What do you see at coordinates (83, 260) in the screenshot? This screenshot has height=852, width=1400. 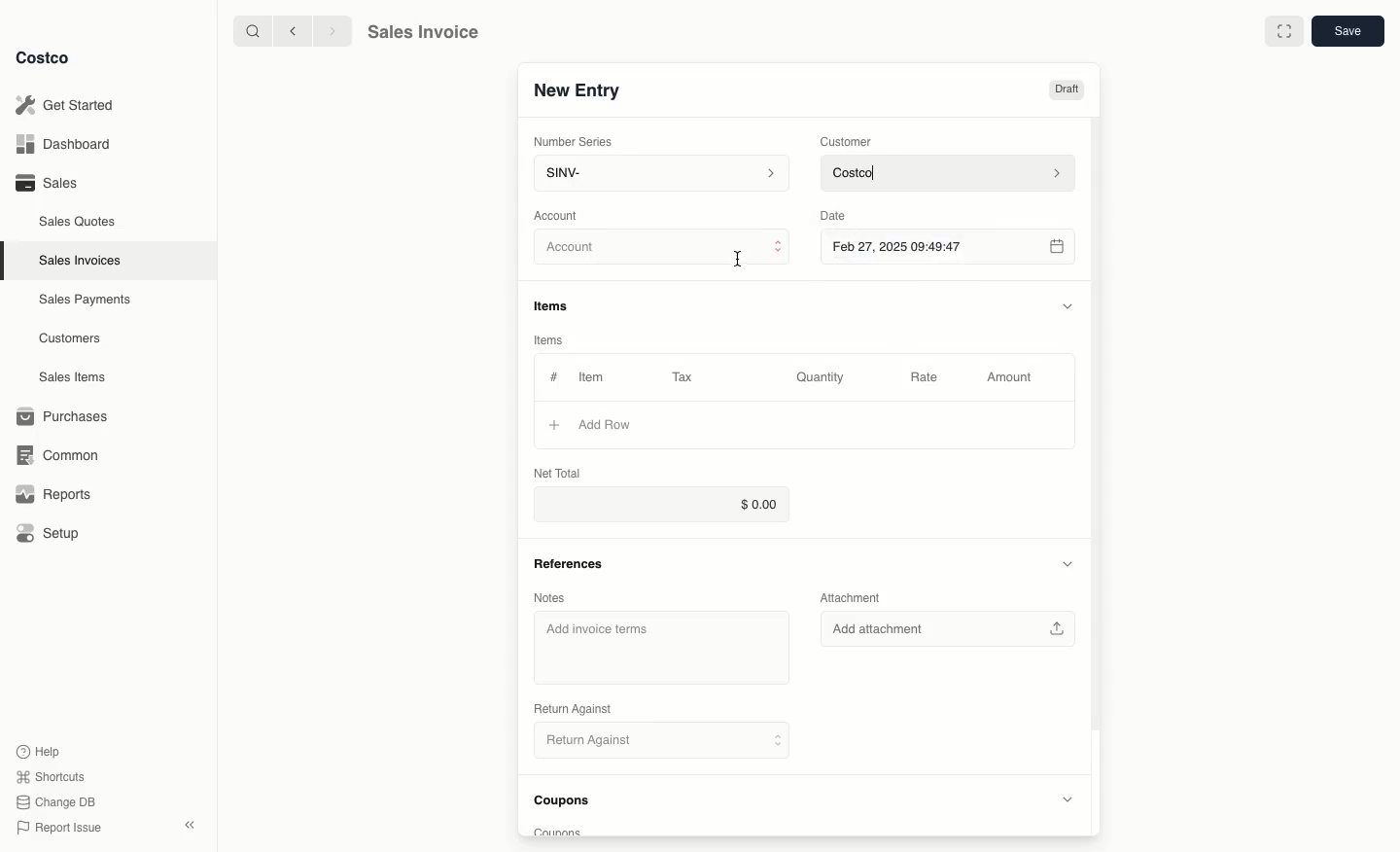 I see `Sales Invoices` at bounding box center [83, 260].